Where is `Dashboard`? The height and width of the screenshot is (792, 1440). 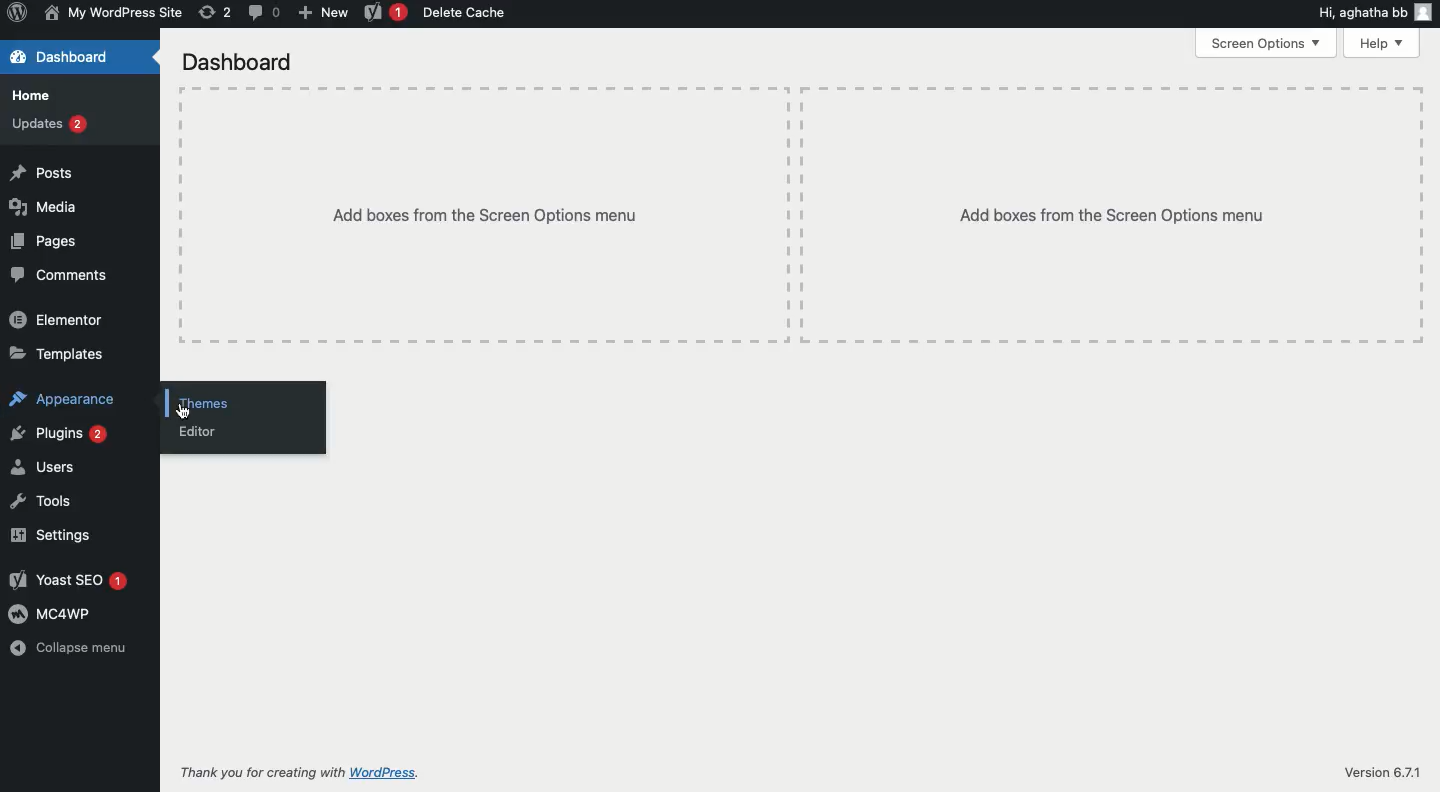 Dashboard is located at coordinates (64, 57).